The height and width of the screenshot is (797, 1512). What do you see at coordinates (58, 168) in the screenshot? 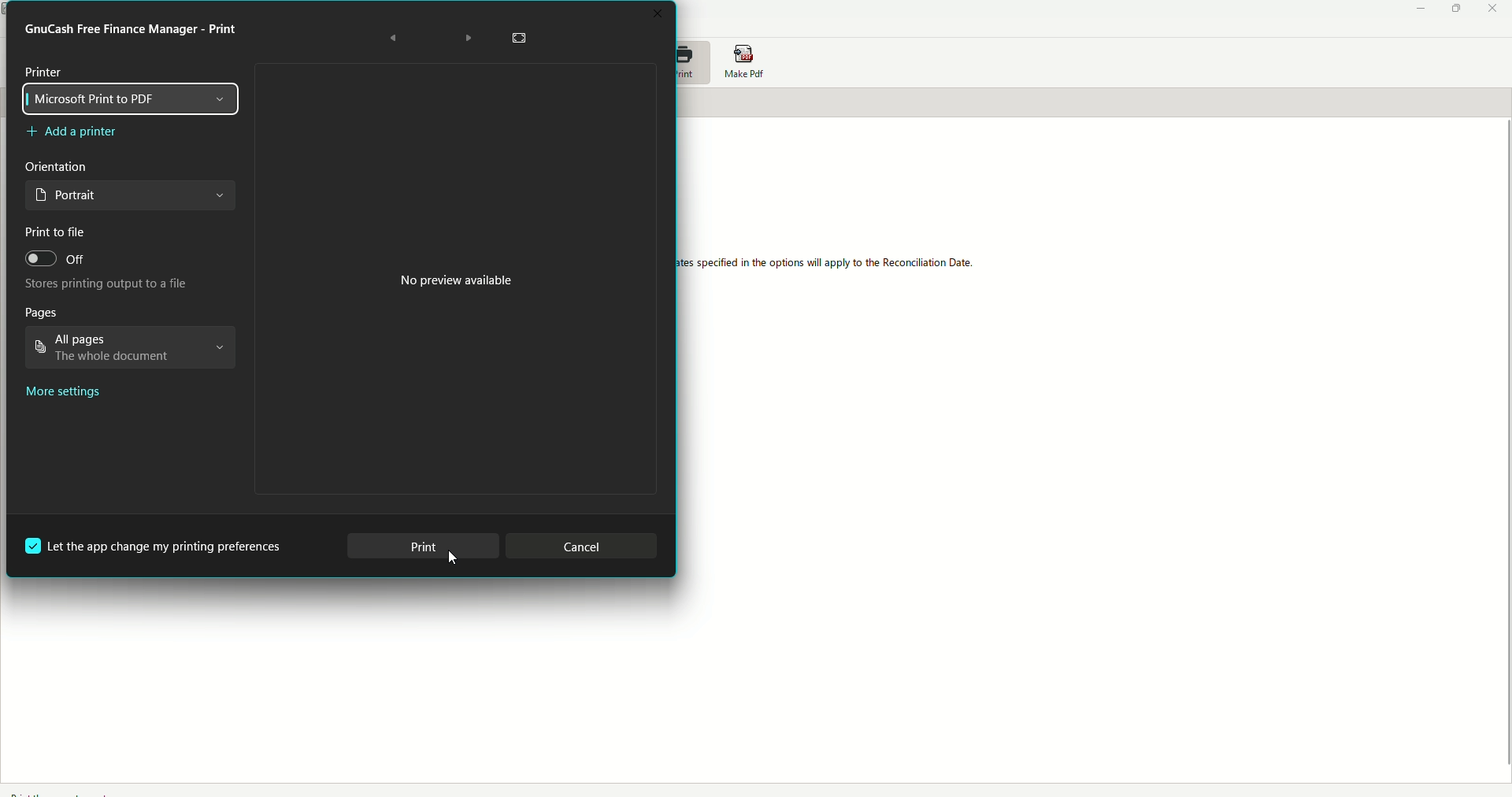
I see `Orientation` at bounding box center [58, 168].